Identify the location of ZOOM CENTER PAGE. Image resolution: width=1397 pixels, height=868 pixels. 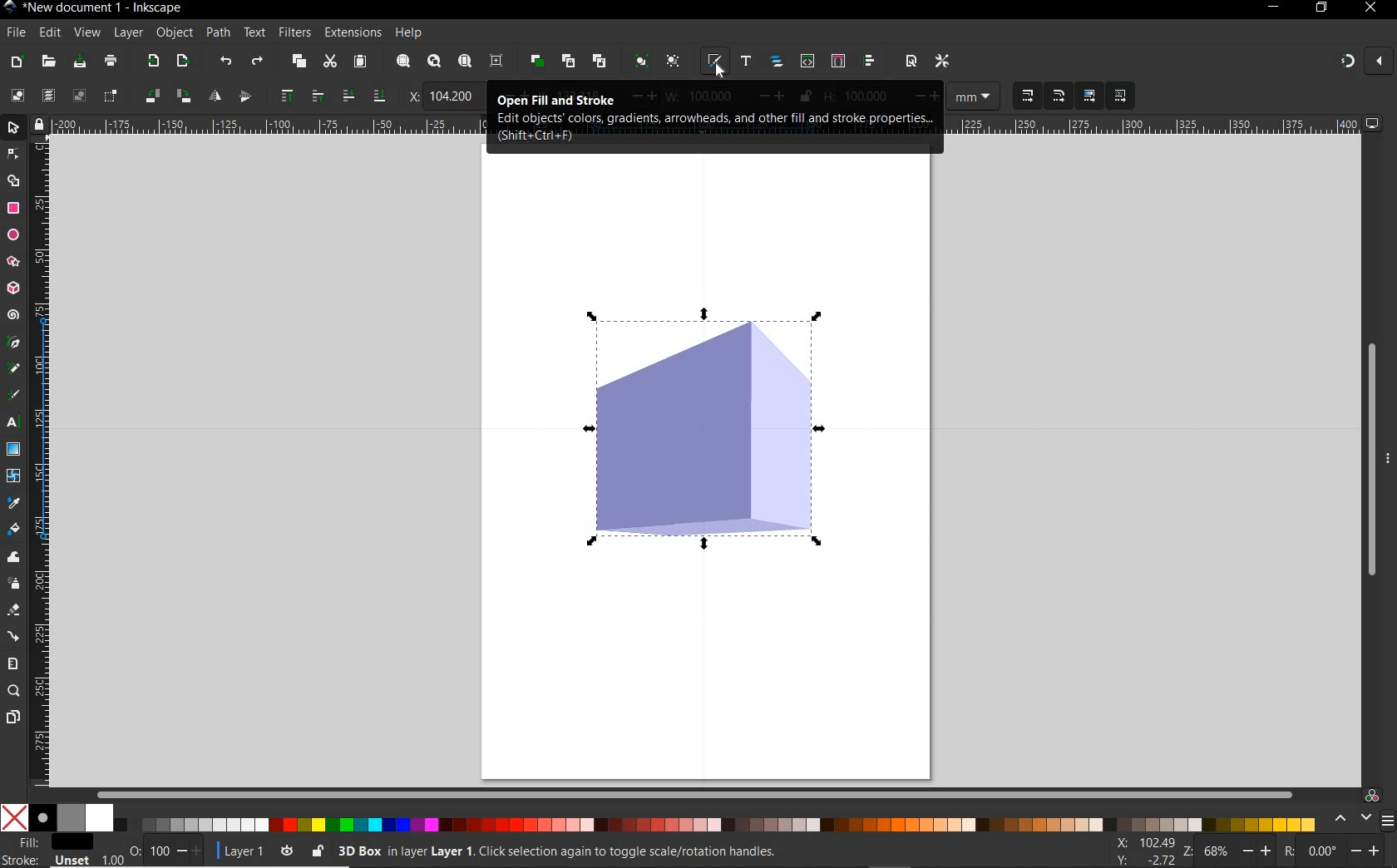
(497, 60).